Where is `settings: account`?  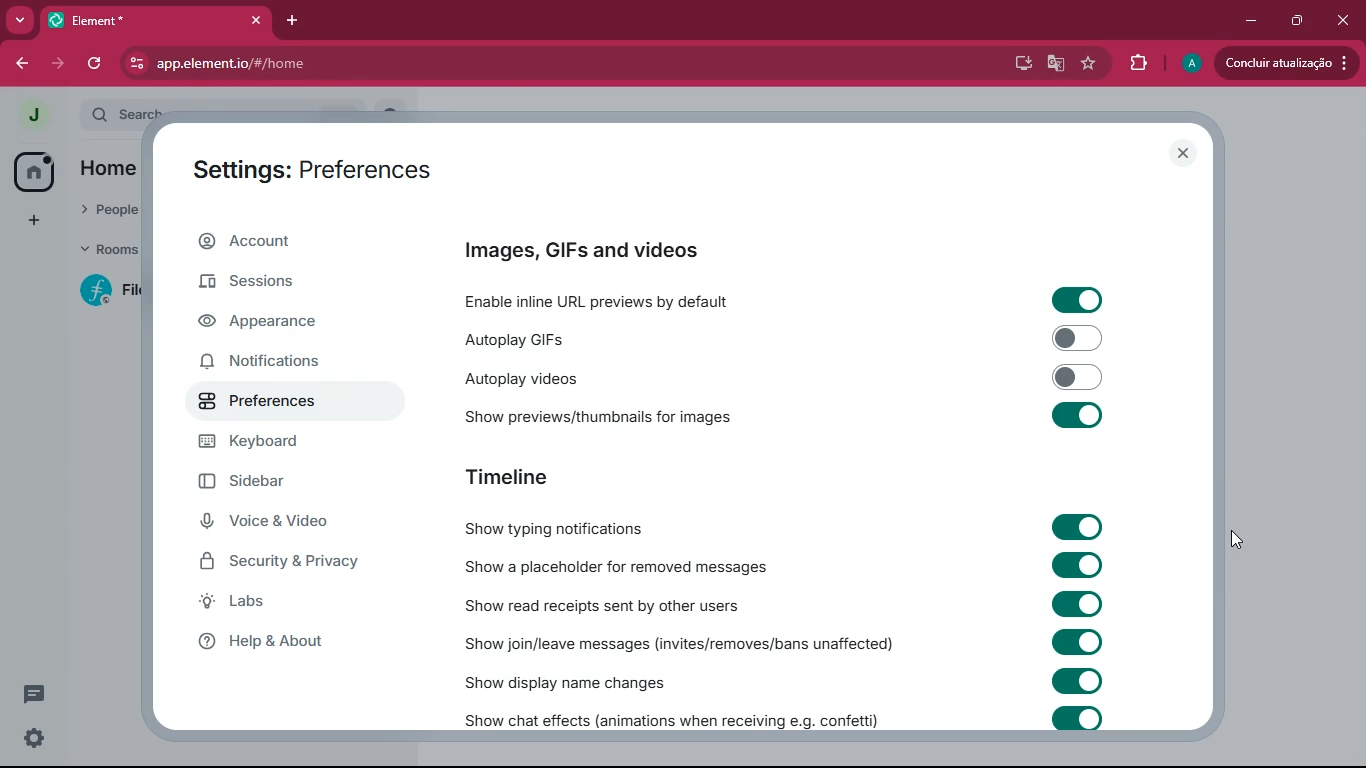 settings: account is located at coordinates (315, 173).